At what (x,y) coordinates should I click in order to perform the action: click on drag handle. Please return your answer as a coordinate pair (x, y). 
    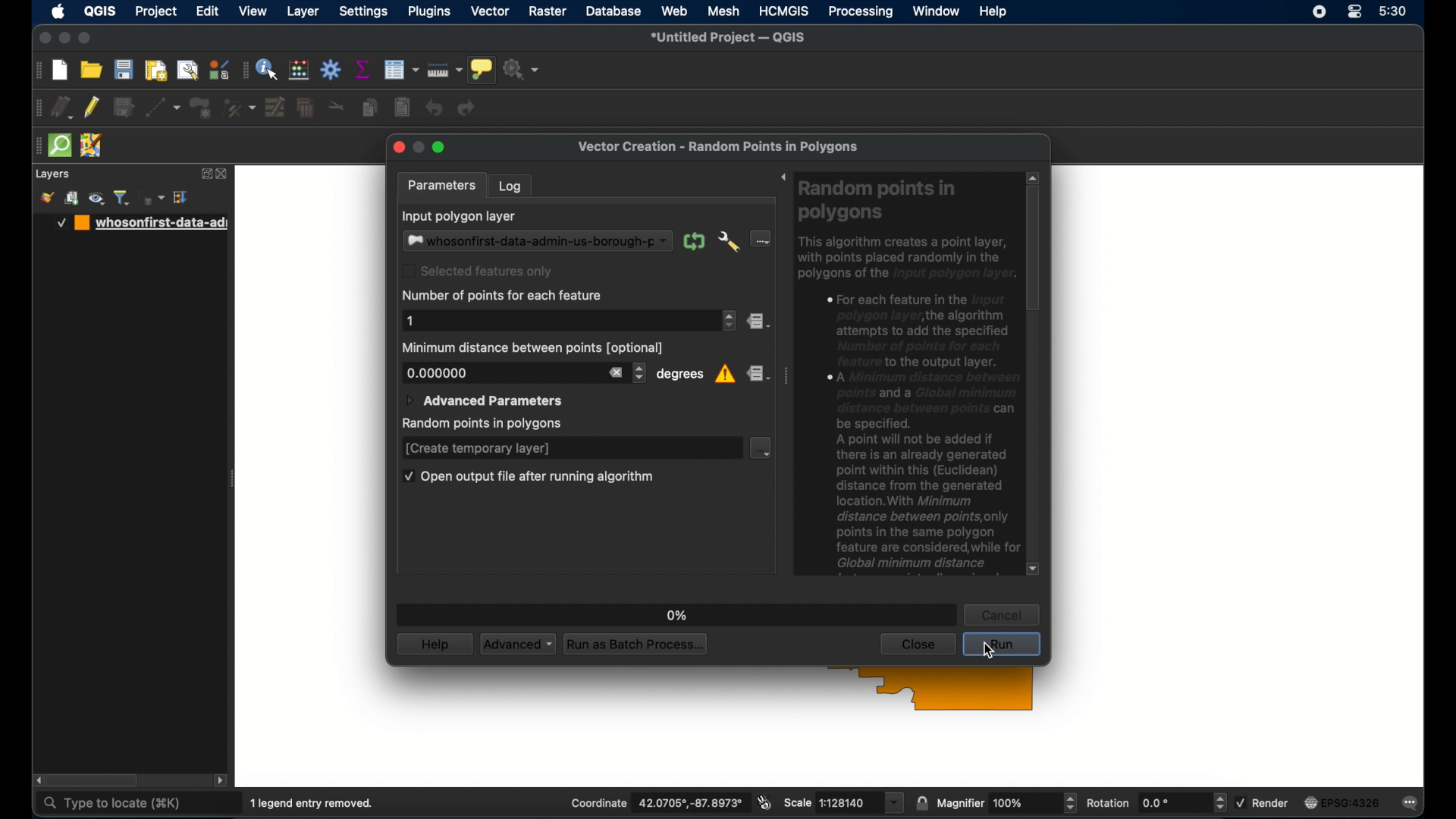
    Looking at the image, I should click on (34, 108).